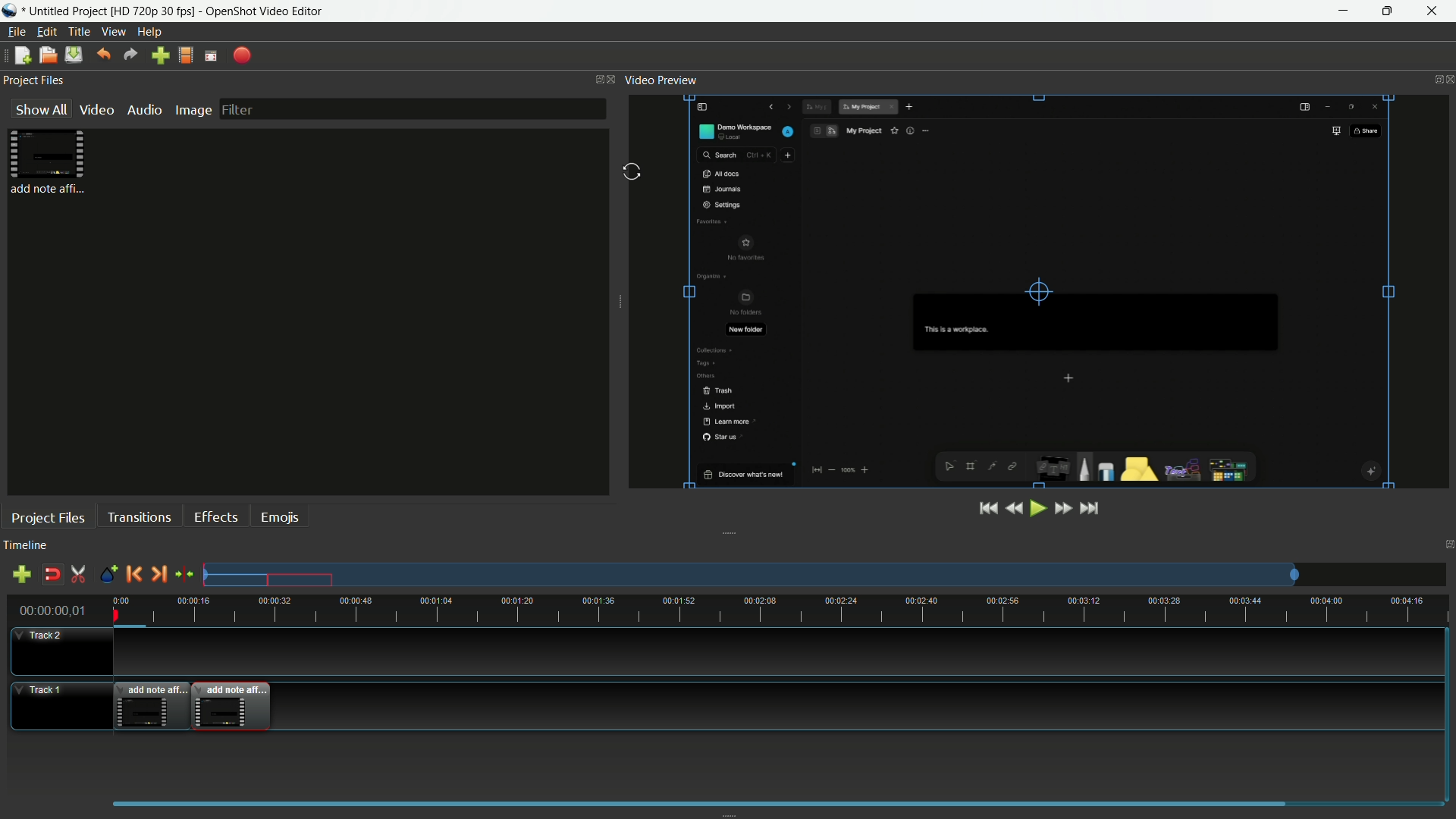  Describe the element at coordinates (133, 573) in the screenshot. I see `previous marker` at that location.